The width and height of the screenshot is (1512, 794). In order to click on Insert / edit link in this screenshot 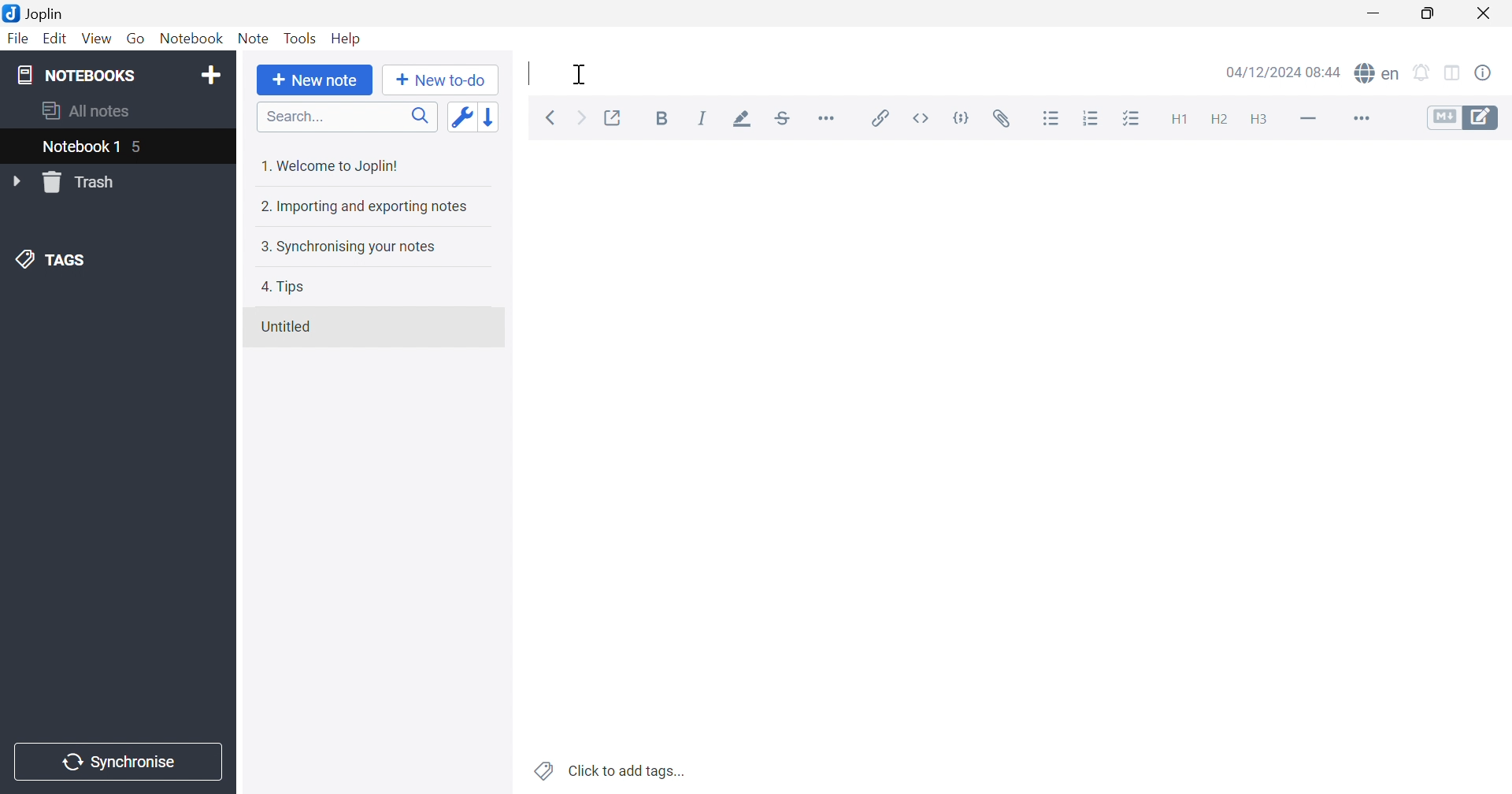, I will do `click(878, 115)`.